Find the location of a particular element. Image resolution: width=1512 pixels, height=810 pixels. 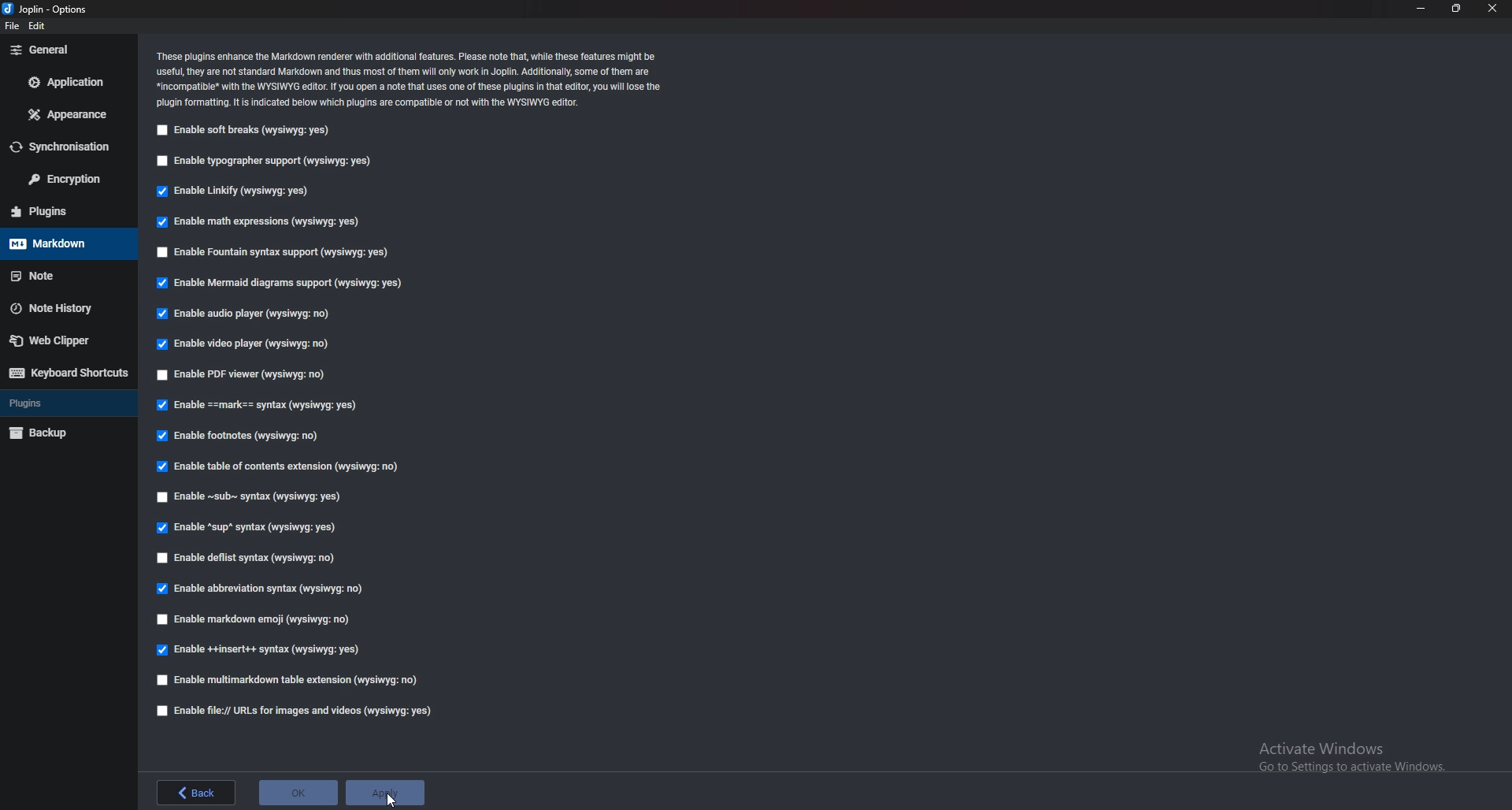

markdown is located at coordinates (65, 244).